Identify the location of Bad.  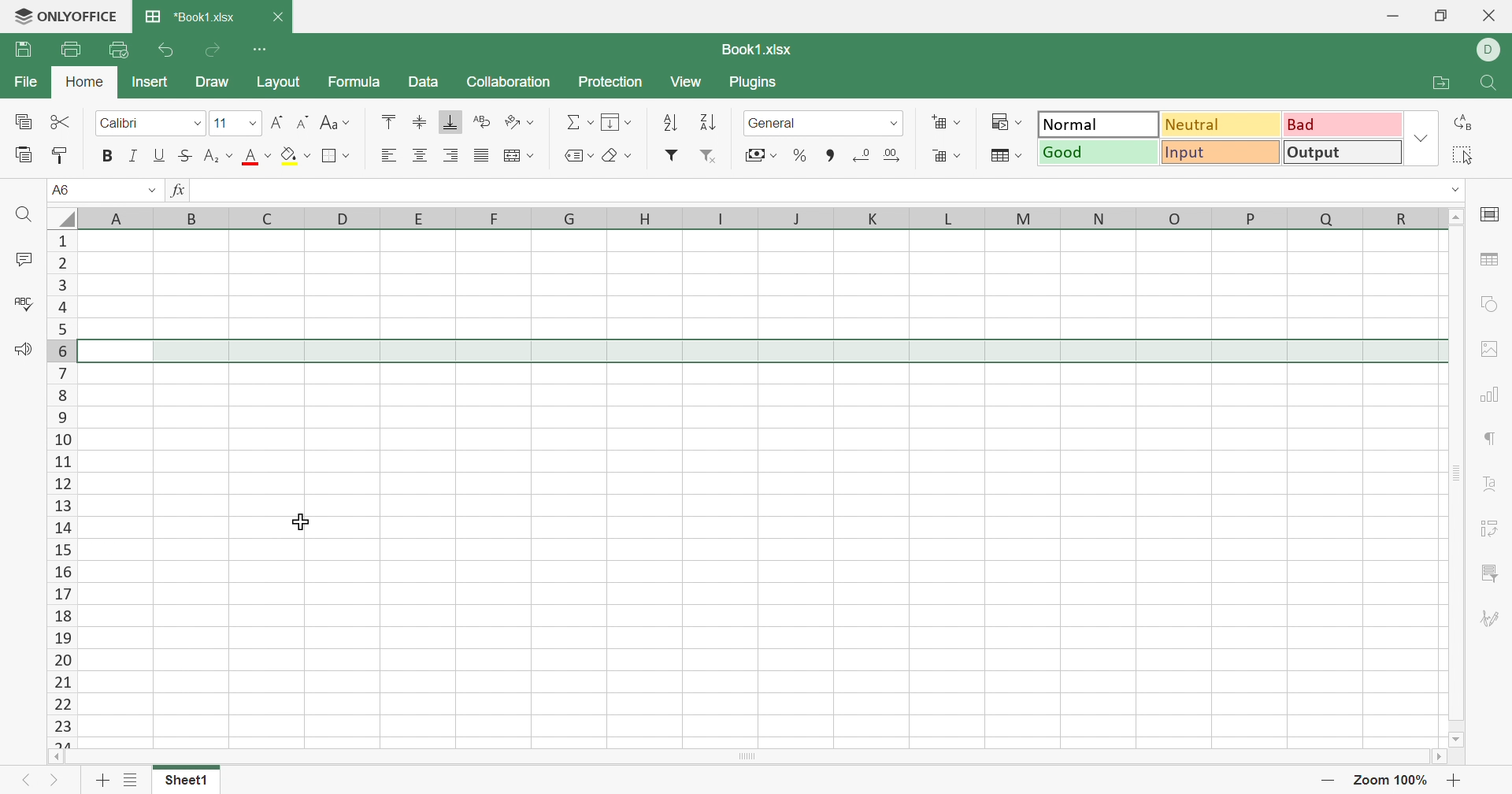
(1343, 124).